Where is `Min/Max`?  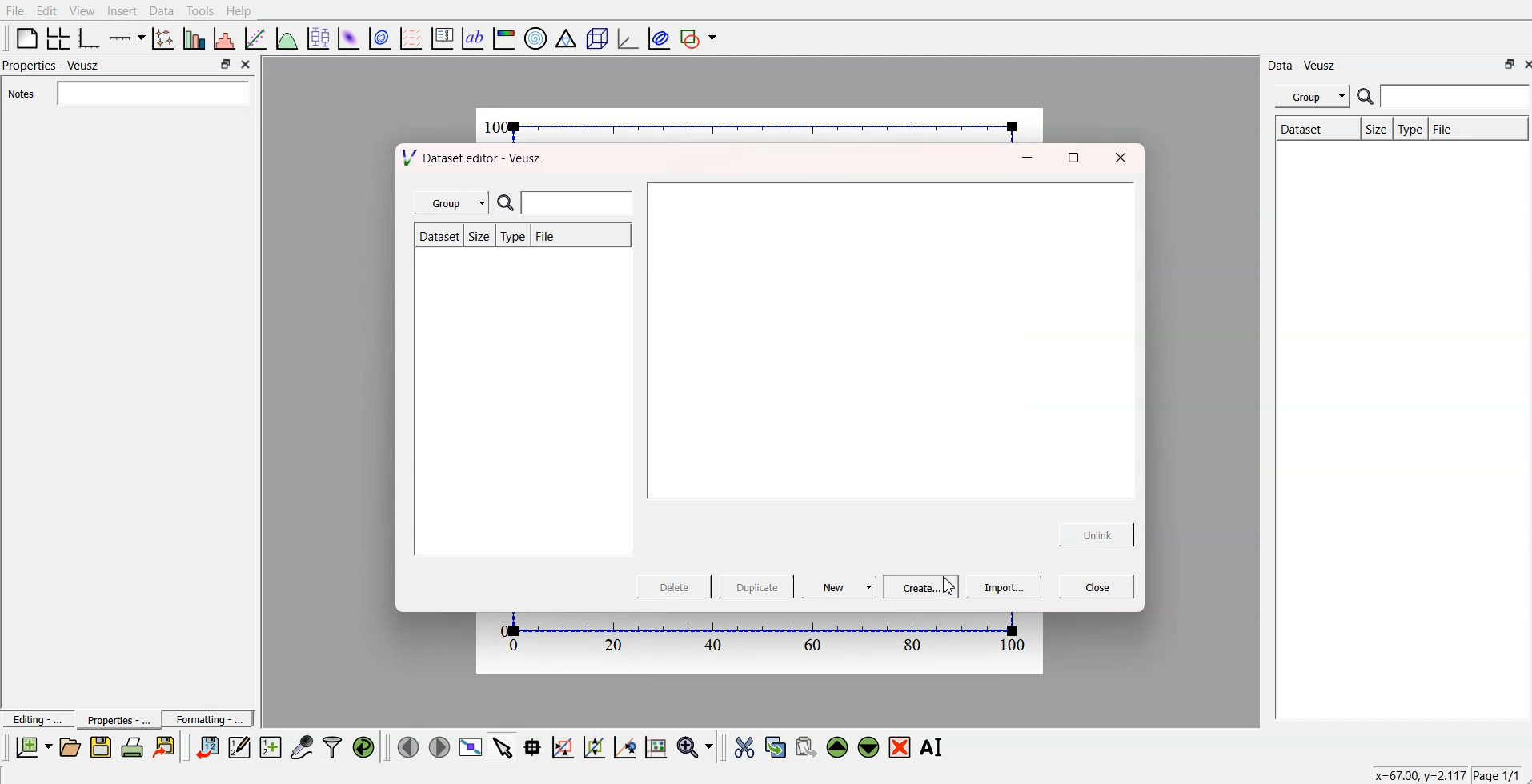 Min/Max is located at coordinates (1507, 64).